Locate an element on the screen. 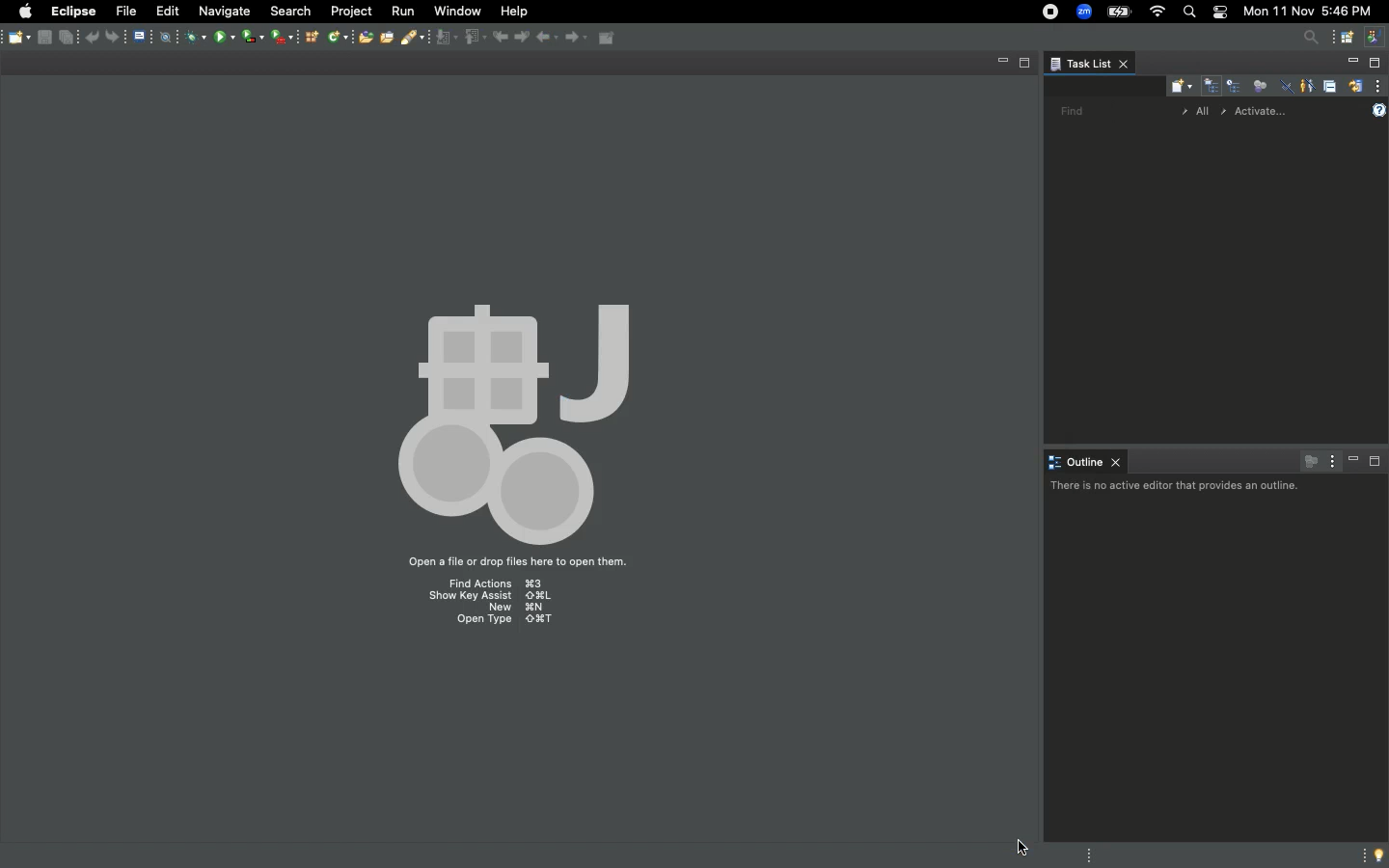  Zoom is located at coordinates (1083, 14).